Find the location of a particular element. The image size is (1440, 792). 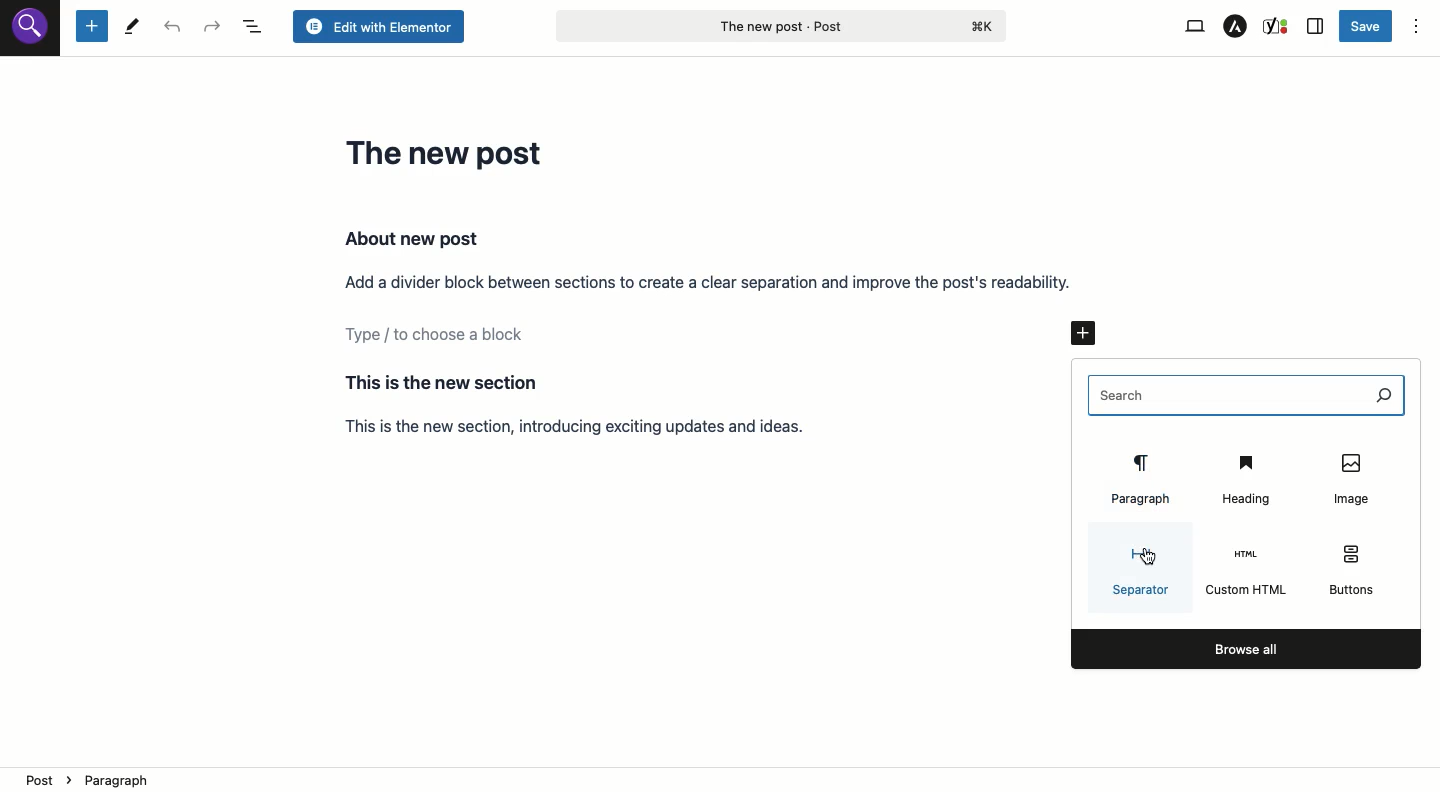

View is located at coordinates (1193, 27).